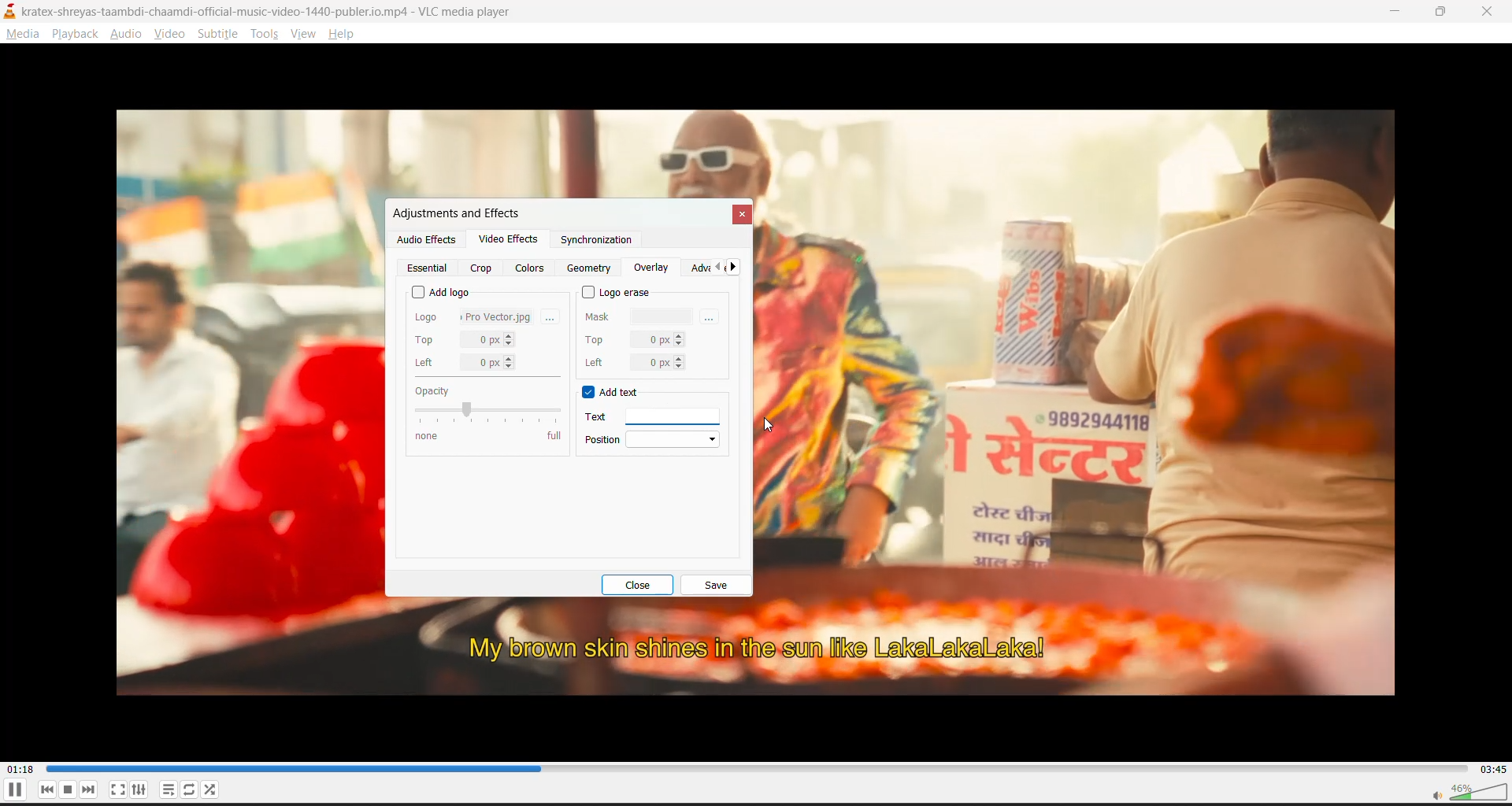  Describe the element at coordinates (644, 416) in the screenshot. I see `text` at that location.